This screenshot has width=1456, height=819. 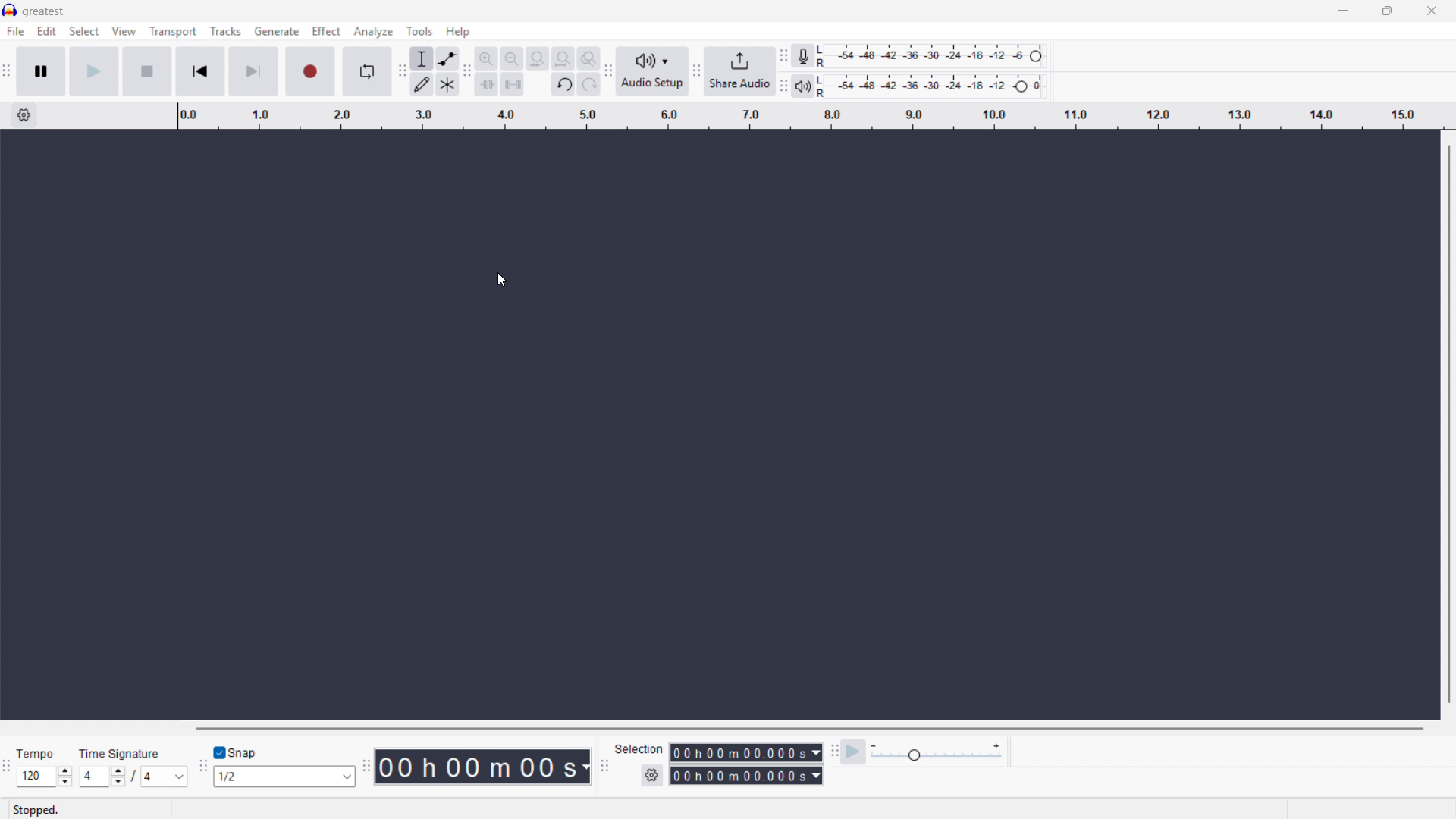 What do you see at coordinates (747, 777) in the screenshot?
I see `Selection end time ` at bounding box center [747, 777].